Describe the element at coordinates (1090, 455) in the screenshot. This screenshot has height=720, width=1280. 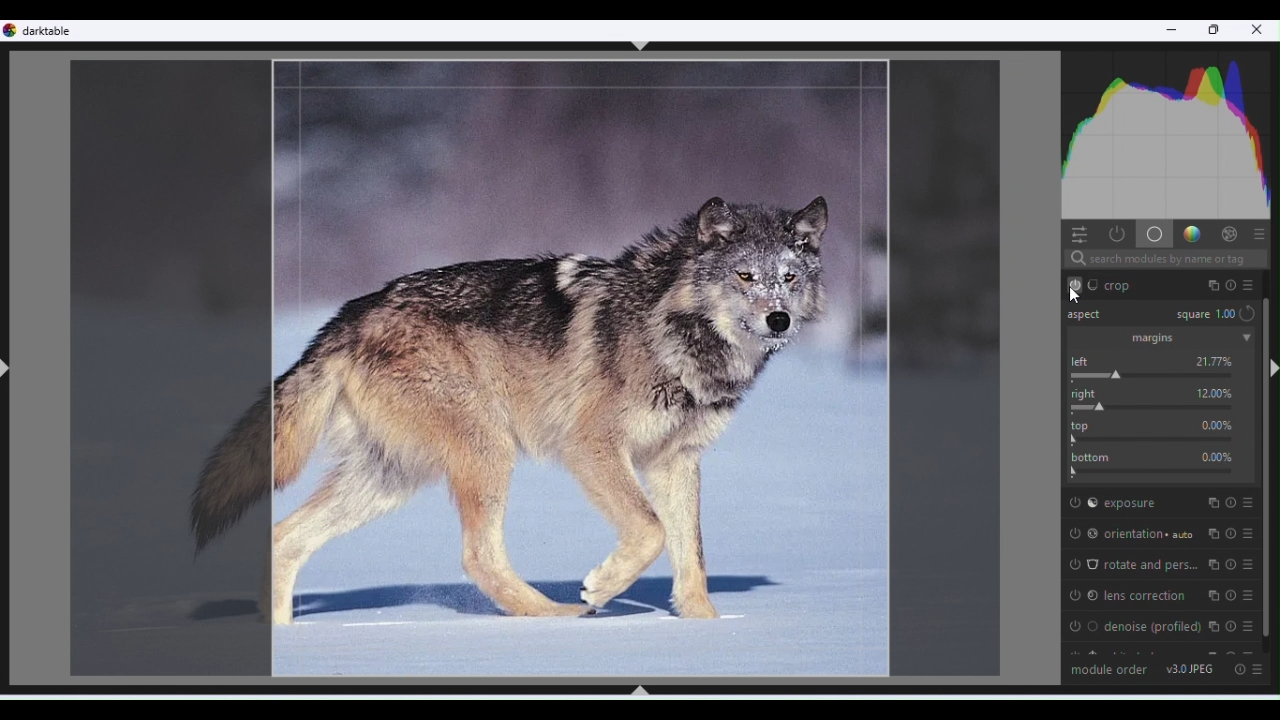
I see `bottom` at that location.